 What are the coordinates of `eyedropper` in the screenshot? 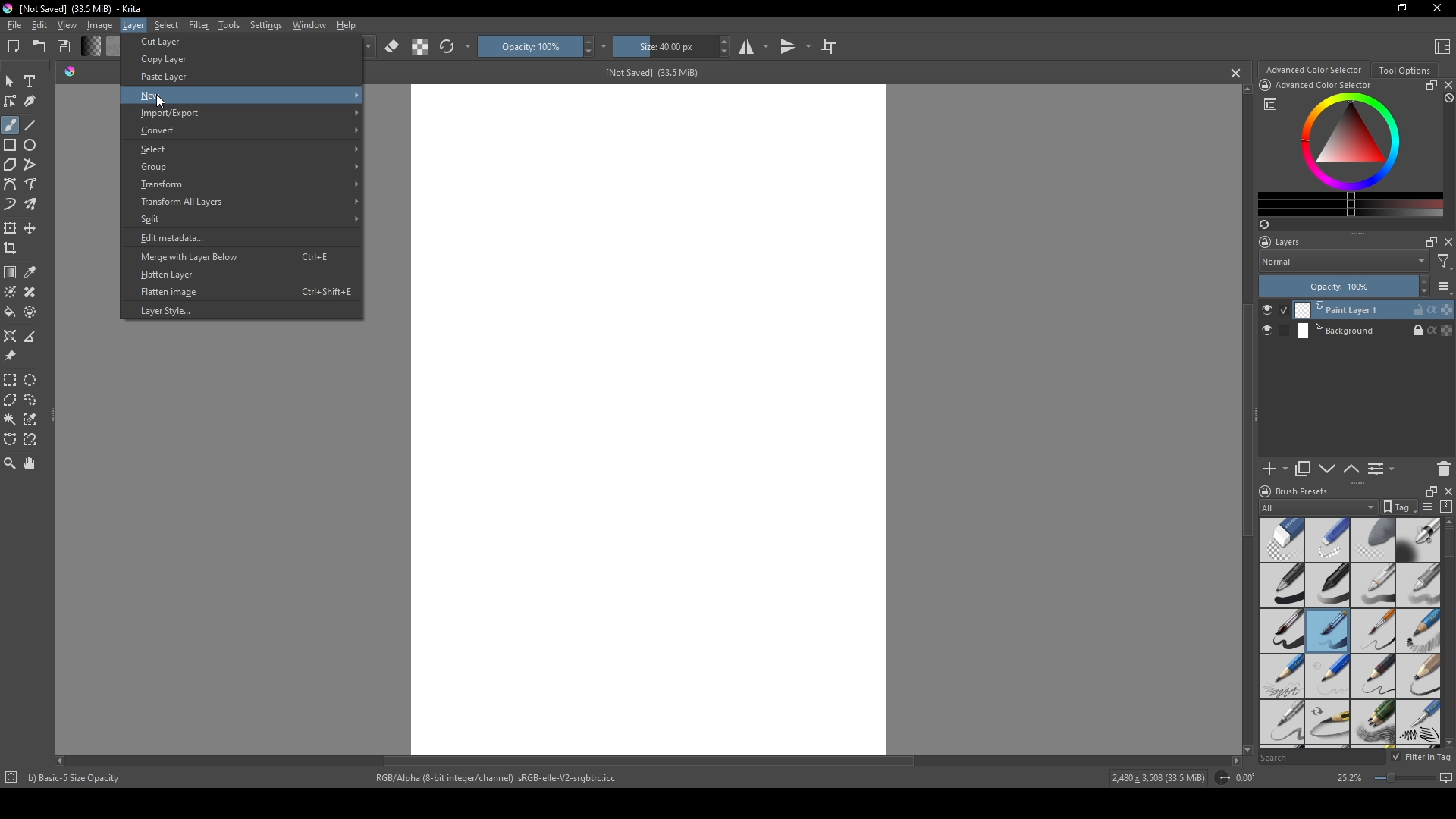 It's located at (32, 272).